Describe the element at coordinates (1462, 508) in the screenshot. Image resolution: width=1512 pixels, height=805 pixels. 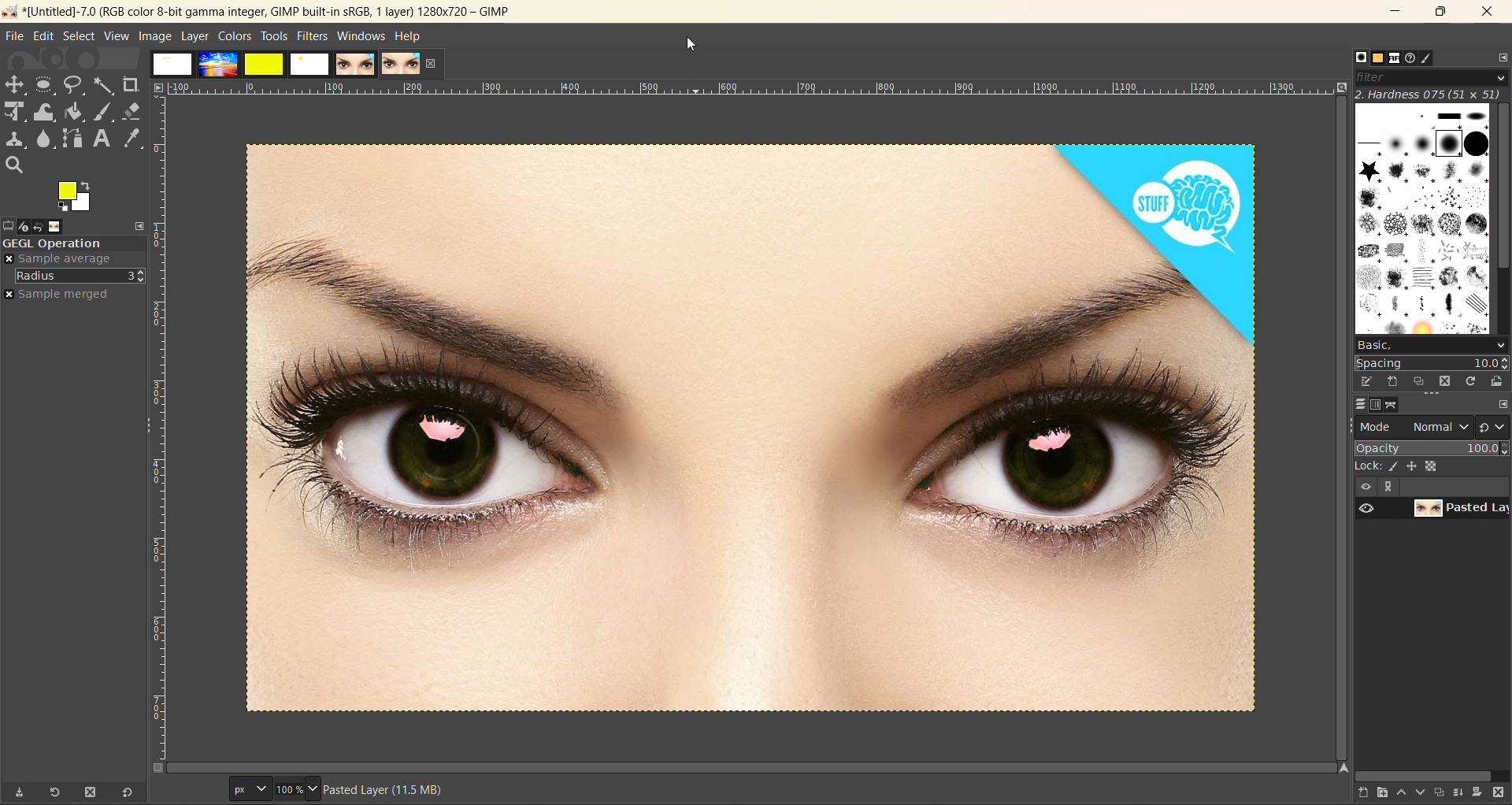
I see `layer` at that location.